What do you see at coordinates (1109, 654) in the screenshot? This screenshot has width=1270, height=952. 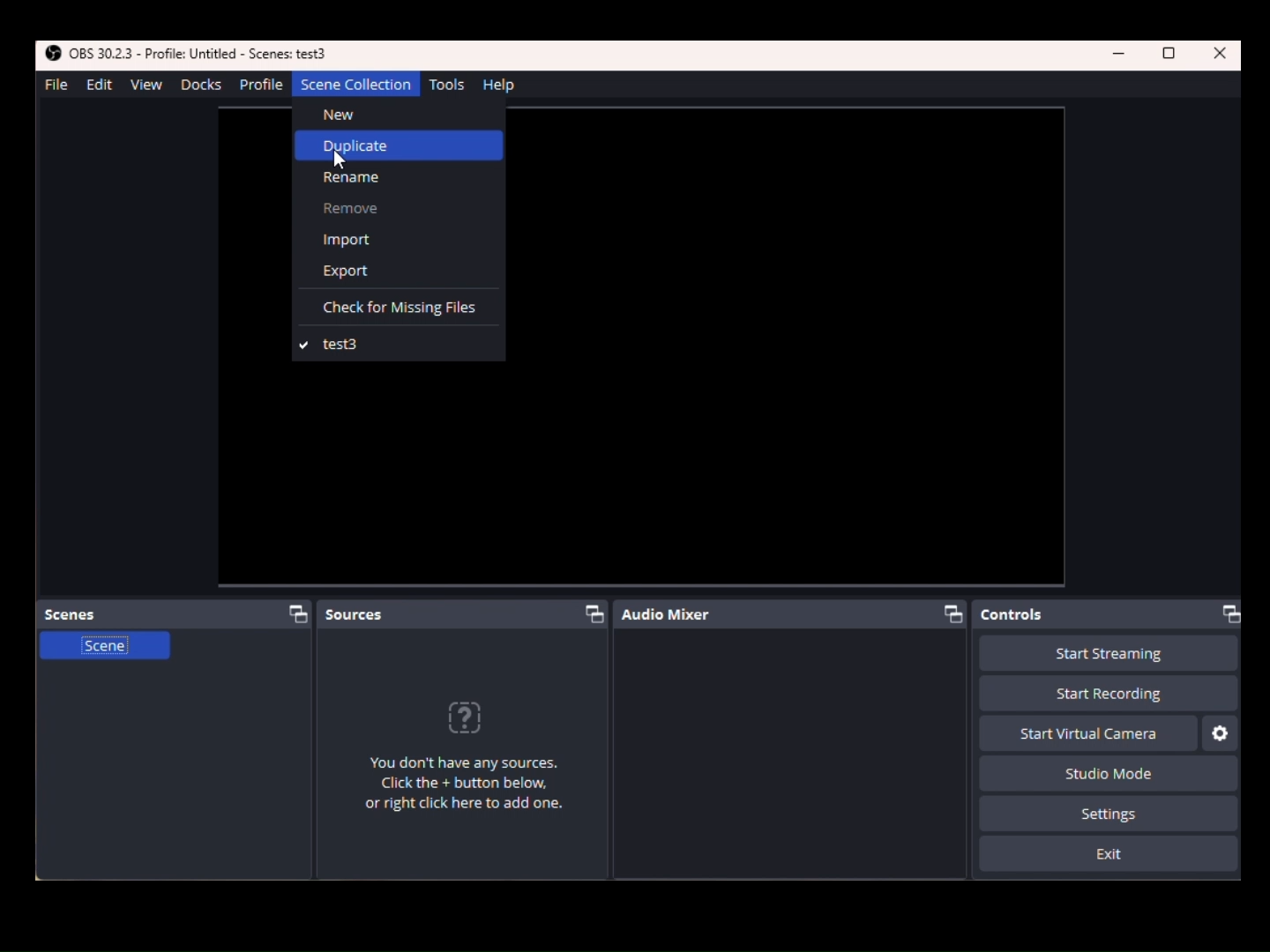 I see `Start Recording` at bounding box center [1109, 654].